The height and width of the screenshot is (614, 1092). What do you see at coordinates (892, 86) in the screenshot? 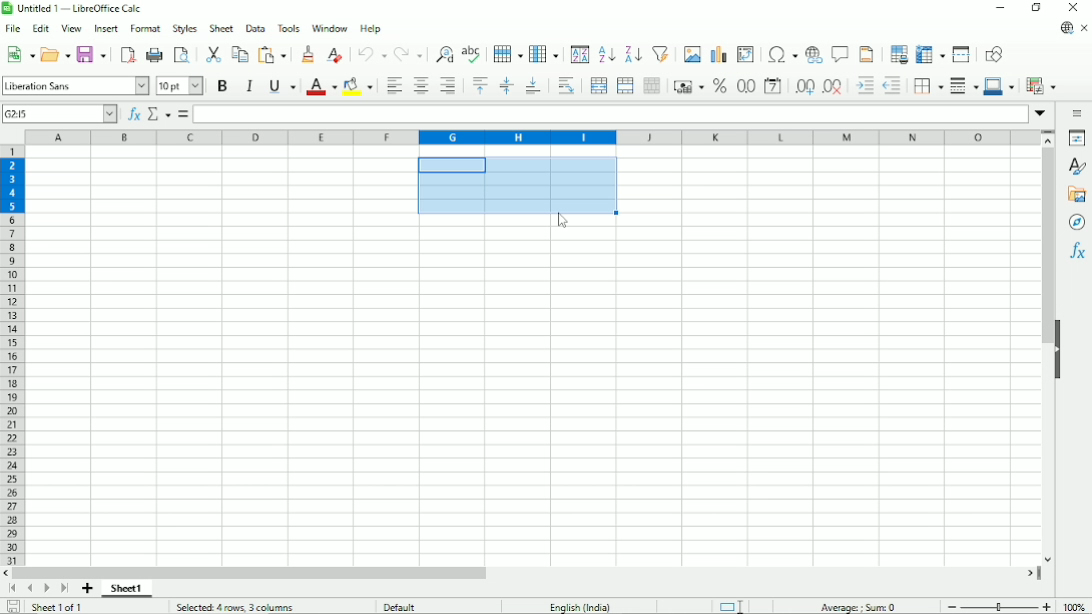
I see `Decrease indent` at bounding box center [892, 86].